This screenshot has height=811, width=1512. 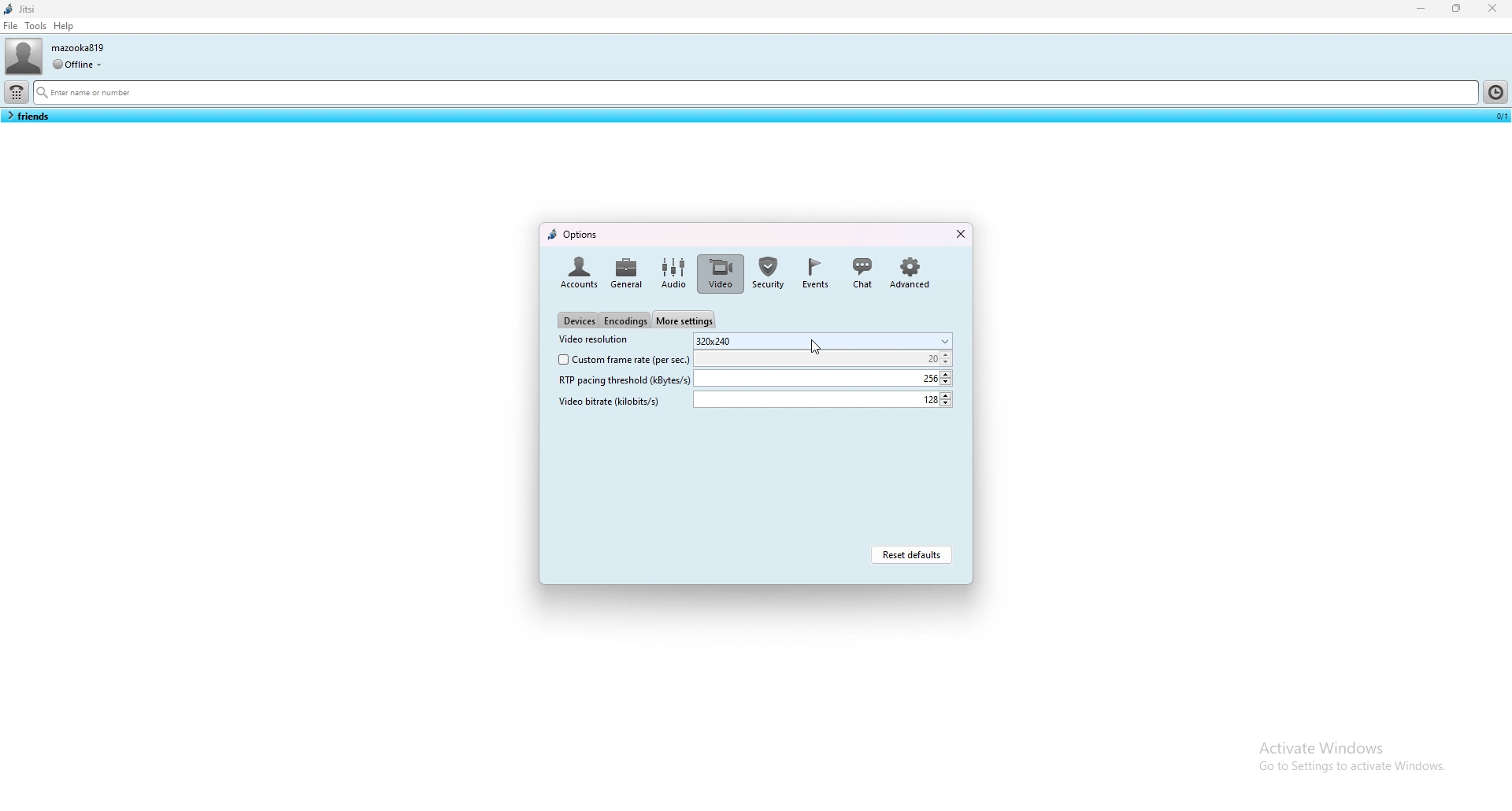 What do you see at coordinates (720, 273) in the screenshot?
I see `video` at bounding box center [720, 273].